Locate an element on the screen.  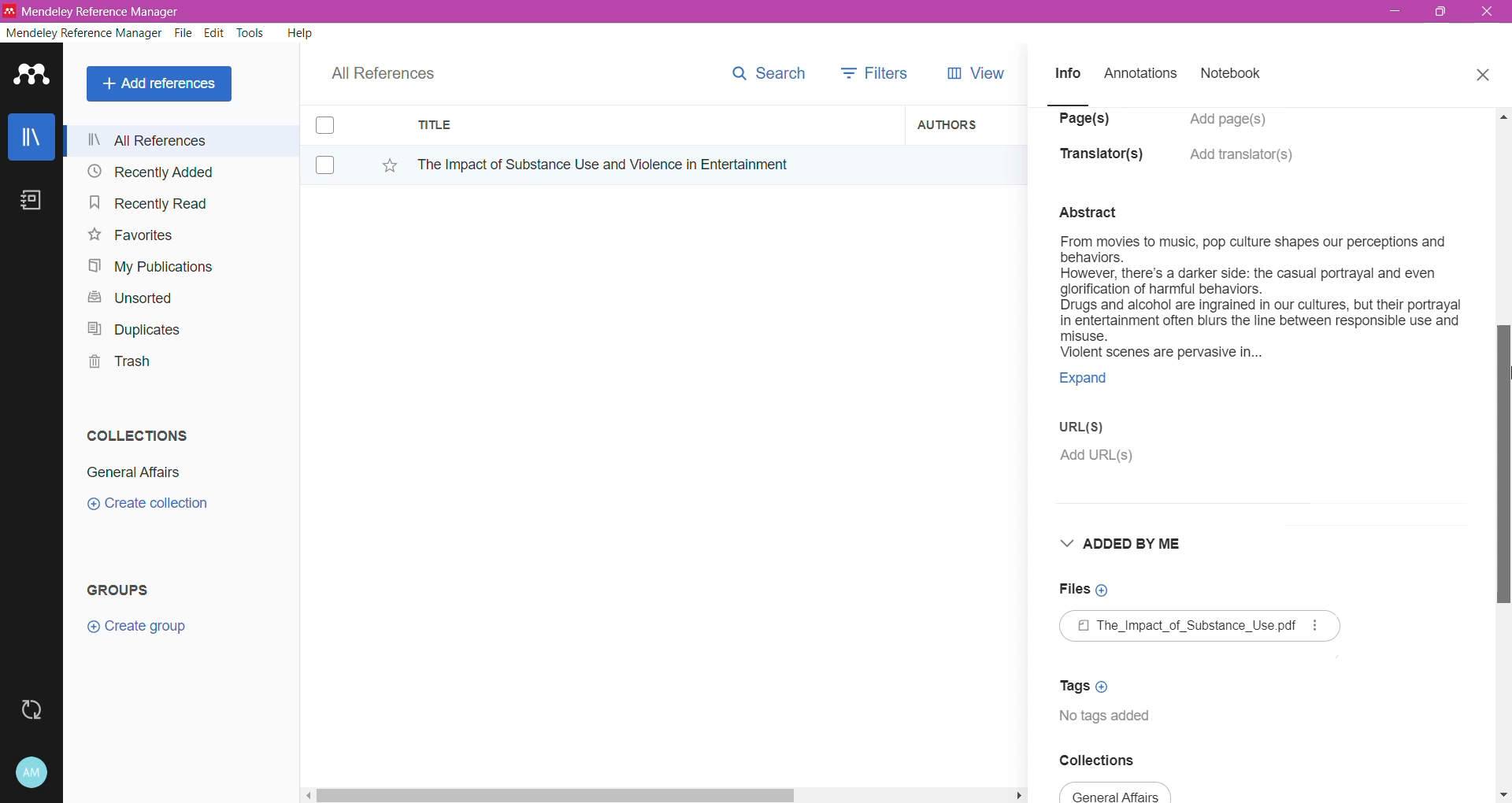
Click to Add Tags is located at coordinates (1093, 682).